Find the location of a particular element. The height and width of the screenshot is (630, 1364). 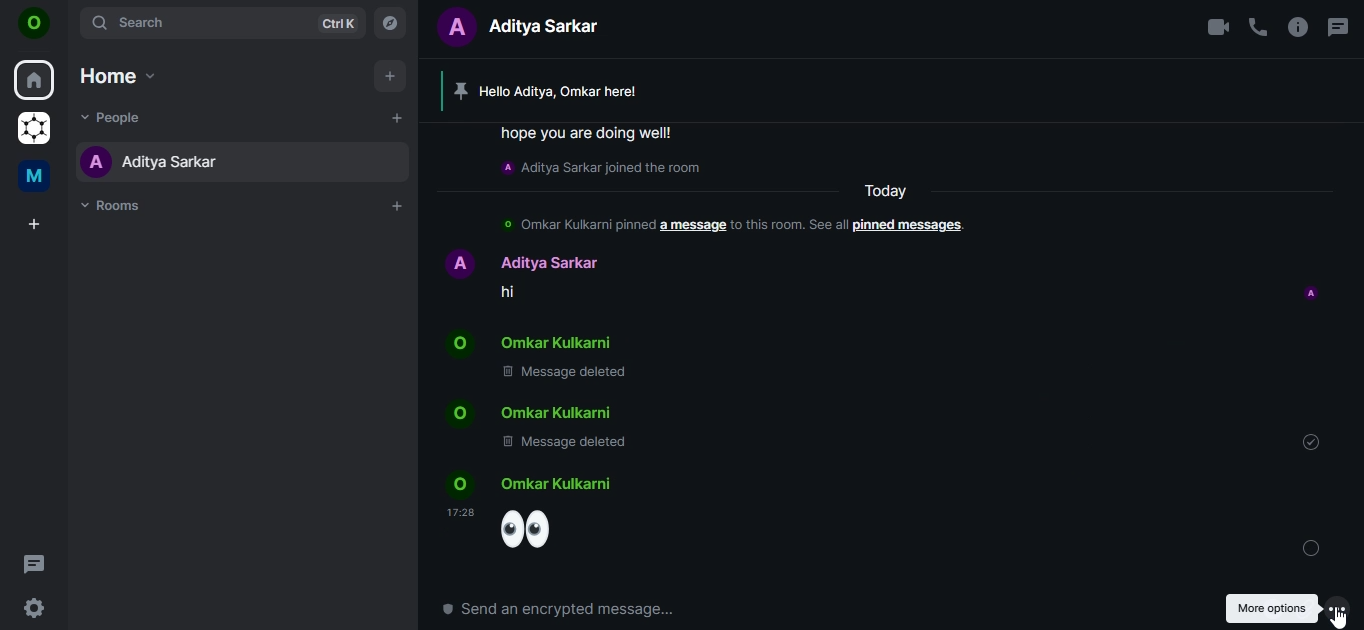

grapheneOS is located at coordinates (33, 126).